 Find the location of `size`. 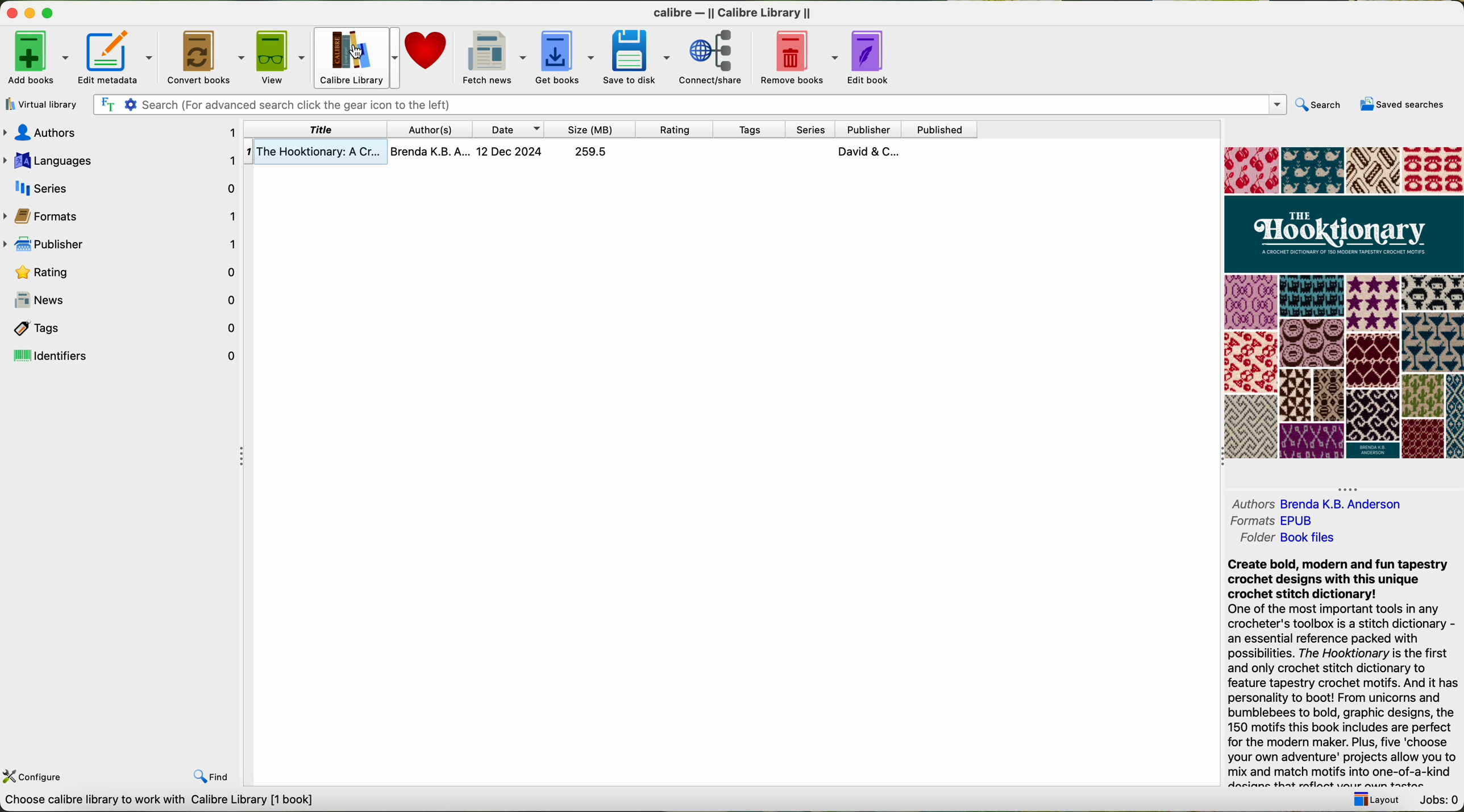

size is located at coordinates (596, 128).